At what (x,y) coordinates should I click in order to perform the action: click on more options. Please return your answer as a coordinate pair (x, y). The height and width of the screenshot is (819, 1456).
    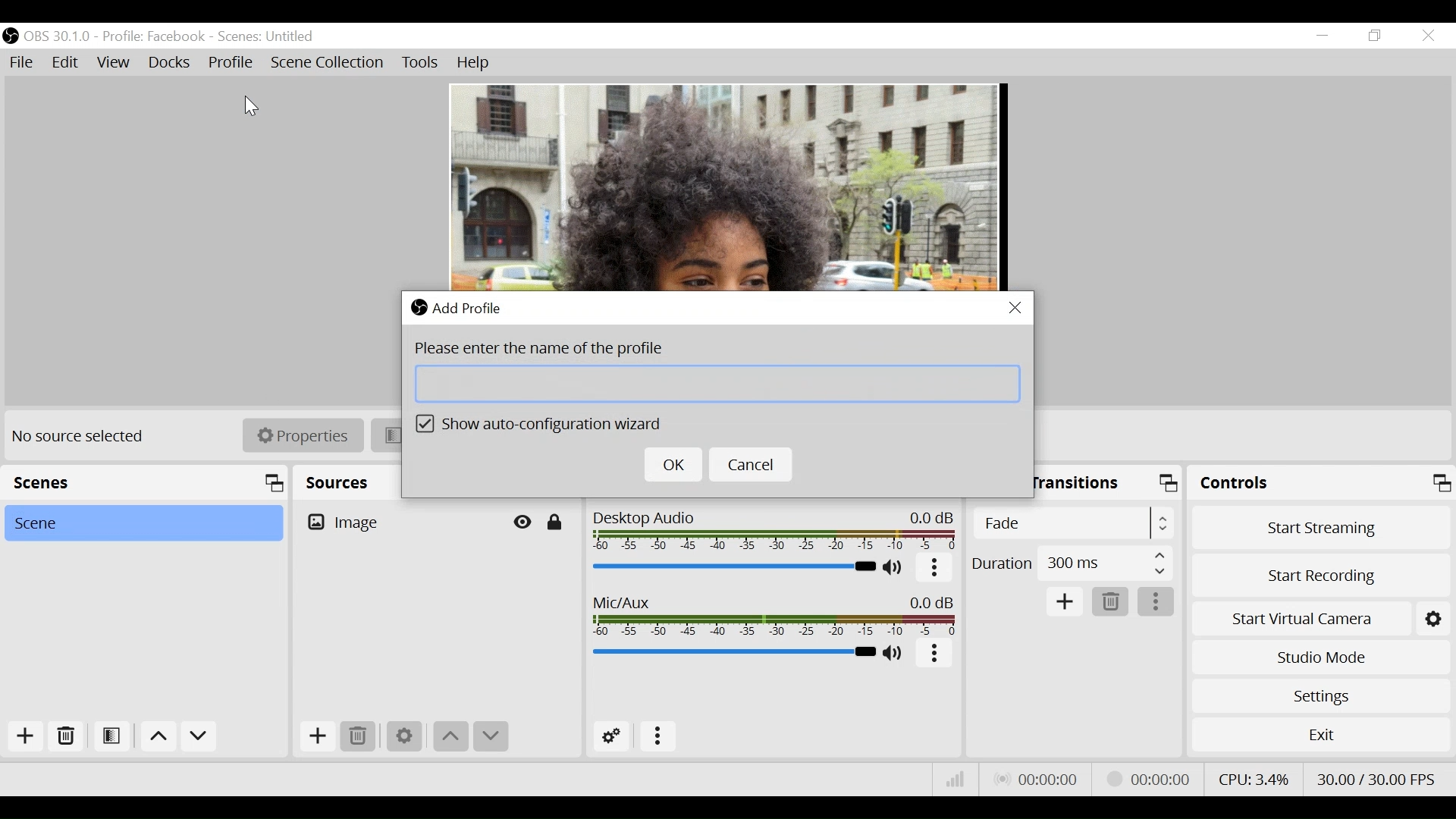
    Looking at the image, I should click on (934, 655).